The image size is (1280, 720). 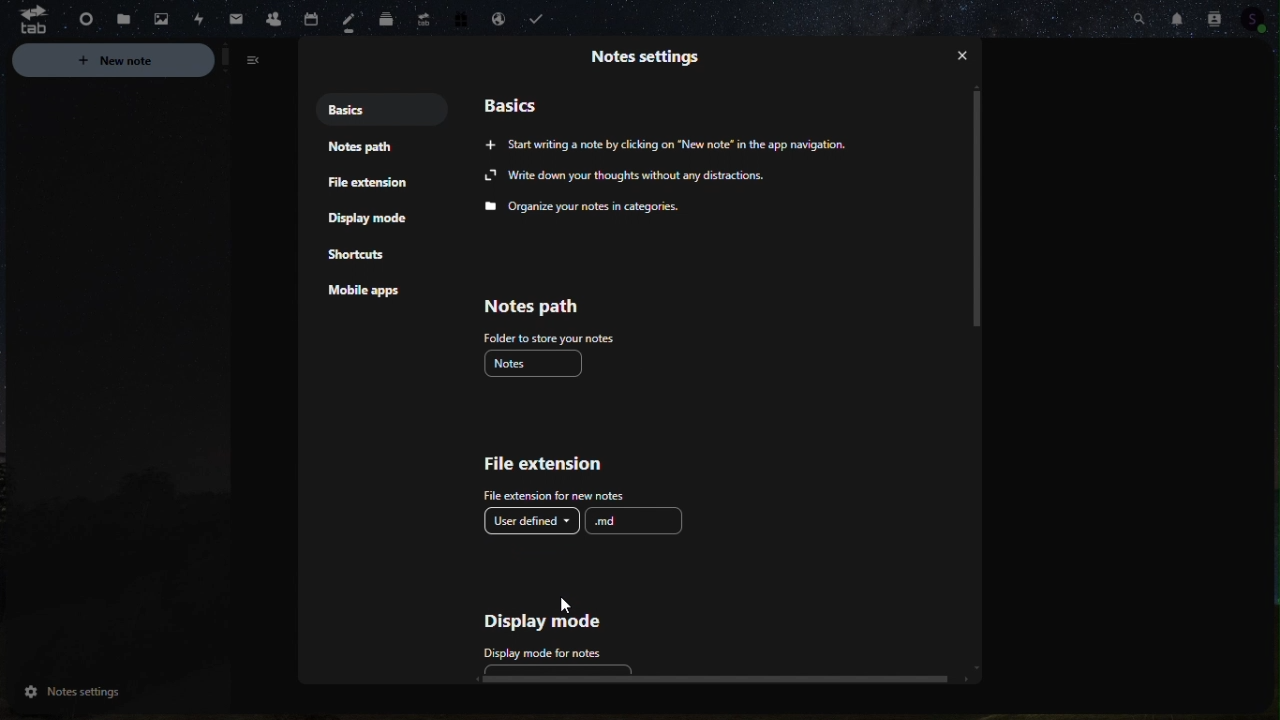 What do you see at coordinates (346, 19) in the screenshot?
I see `Notes` at bounding box center [346, 19].